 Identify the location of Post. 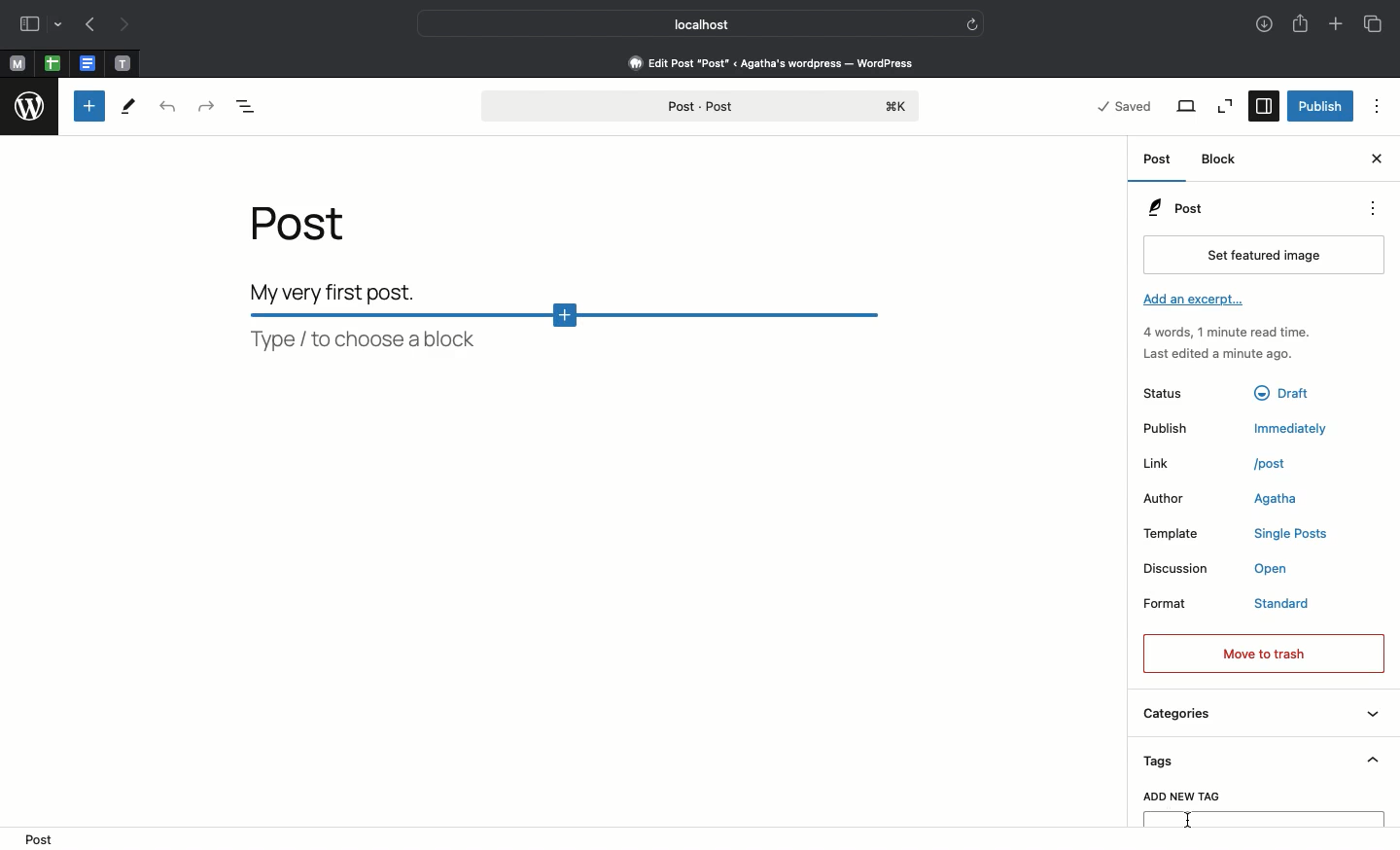
(704, 102).